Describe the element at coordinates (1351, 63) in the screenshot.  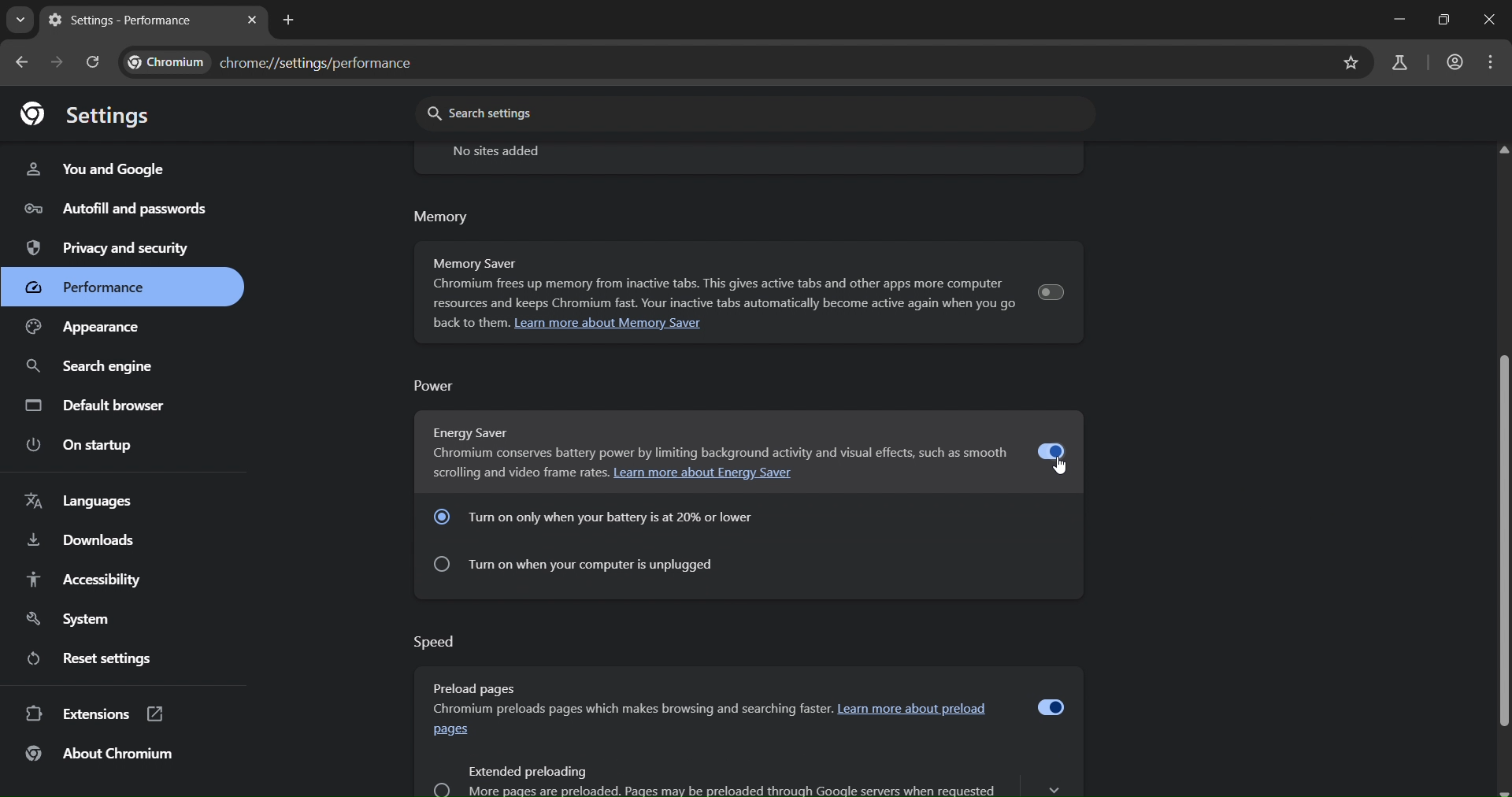
I see `bookmark` at that location.